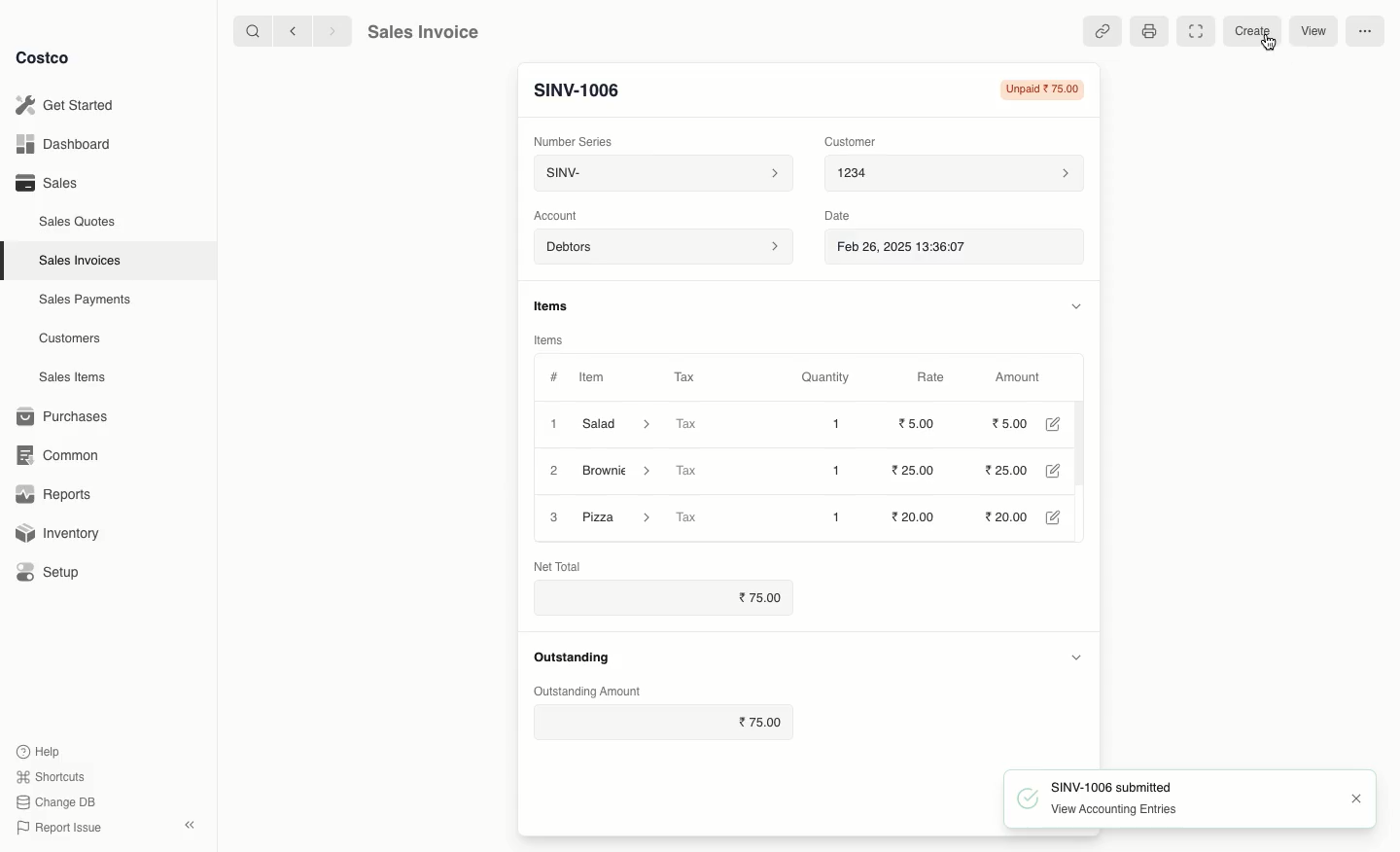 The image size is (1400, 852). Describe the element at coordinates (1312, 32) in the screenshot. I see `View` at that location.